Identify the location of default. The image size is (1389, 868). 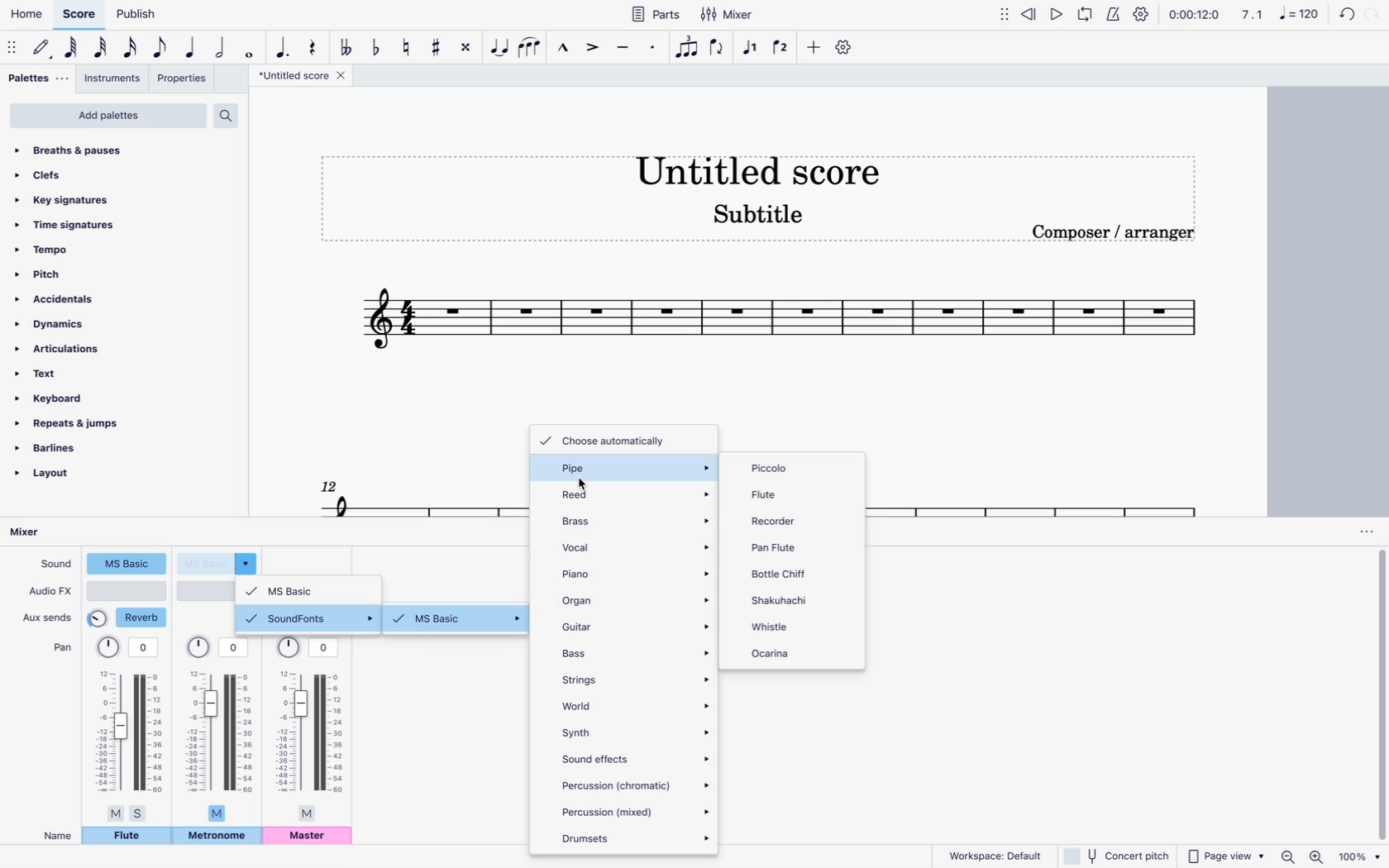
(45, 49).